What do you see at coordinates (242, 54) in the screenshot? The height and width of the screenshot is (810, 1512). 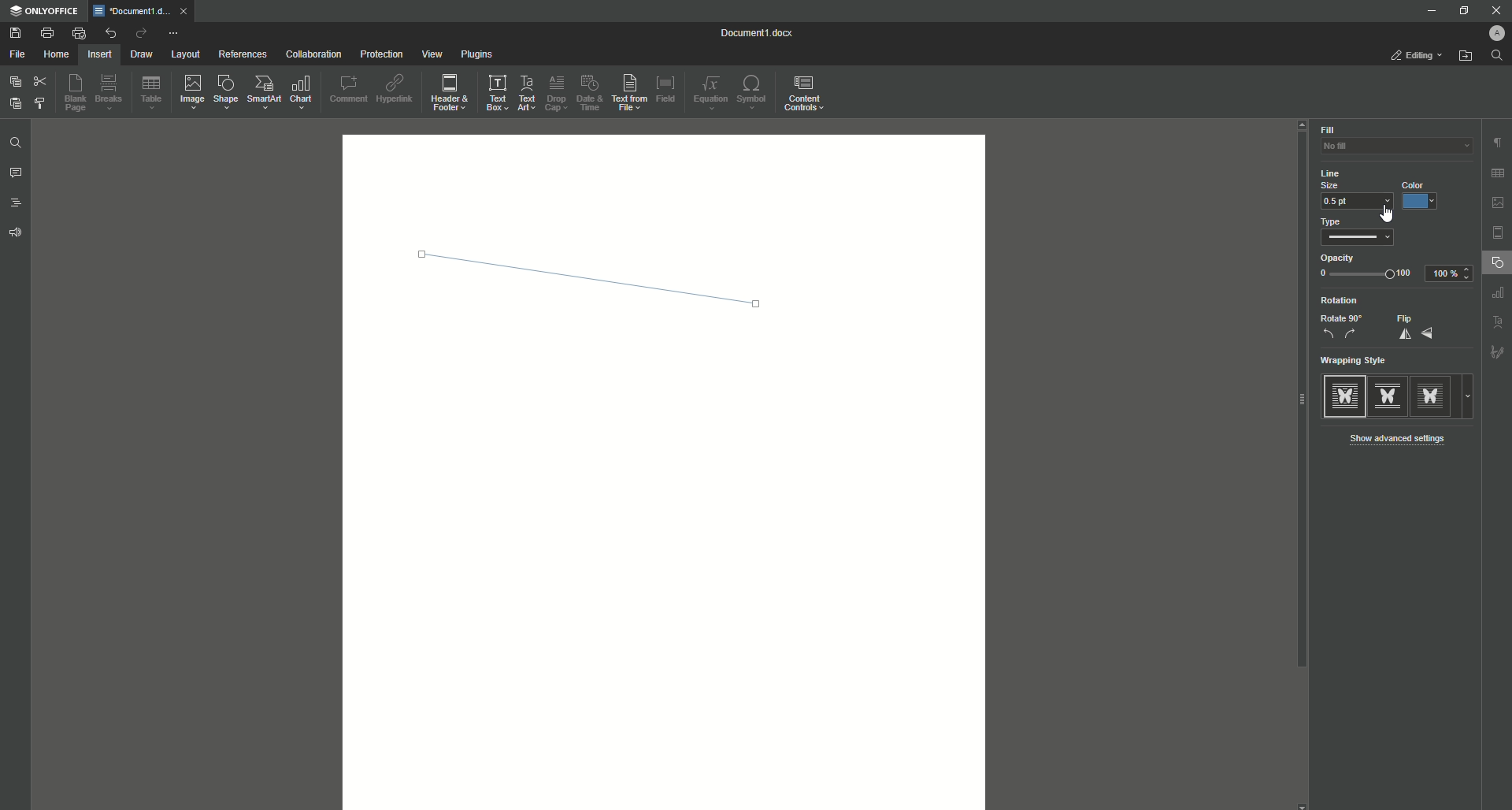 I see `References` at bounding box center [242, 54].